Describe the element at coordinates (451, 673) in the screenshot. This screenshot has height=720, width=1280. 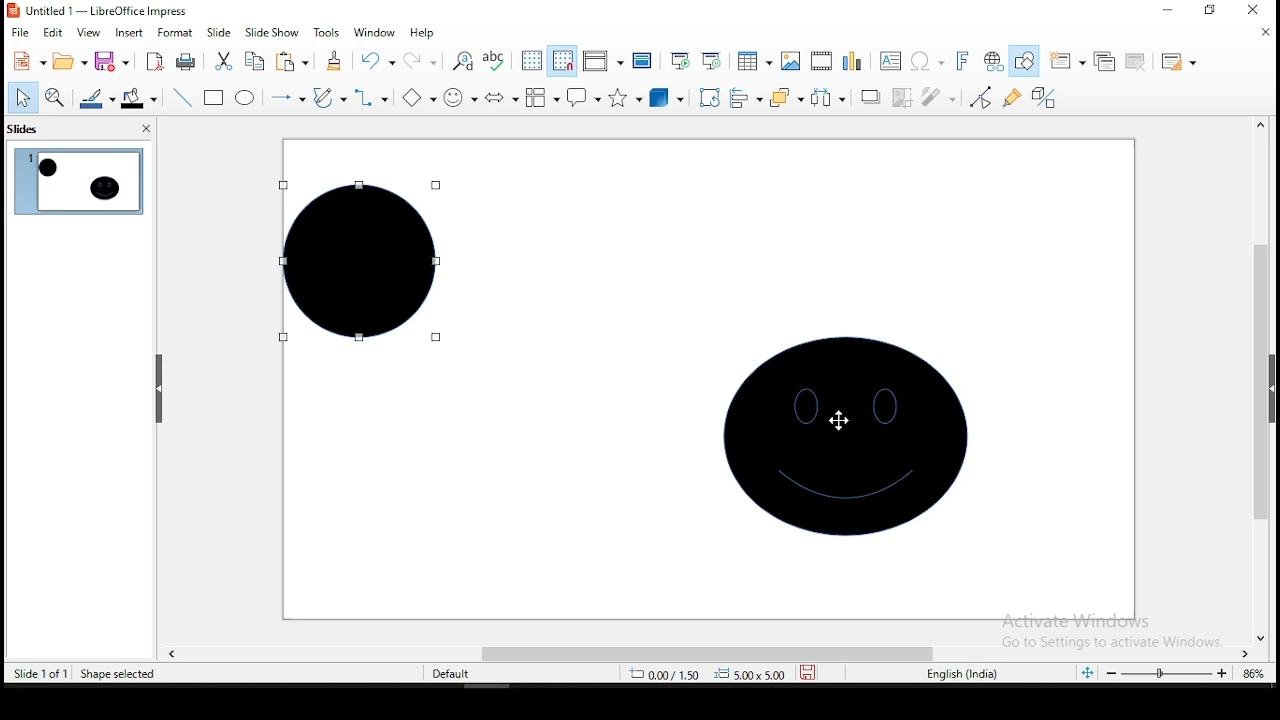
I see `default` at that location.